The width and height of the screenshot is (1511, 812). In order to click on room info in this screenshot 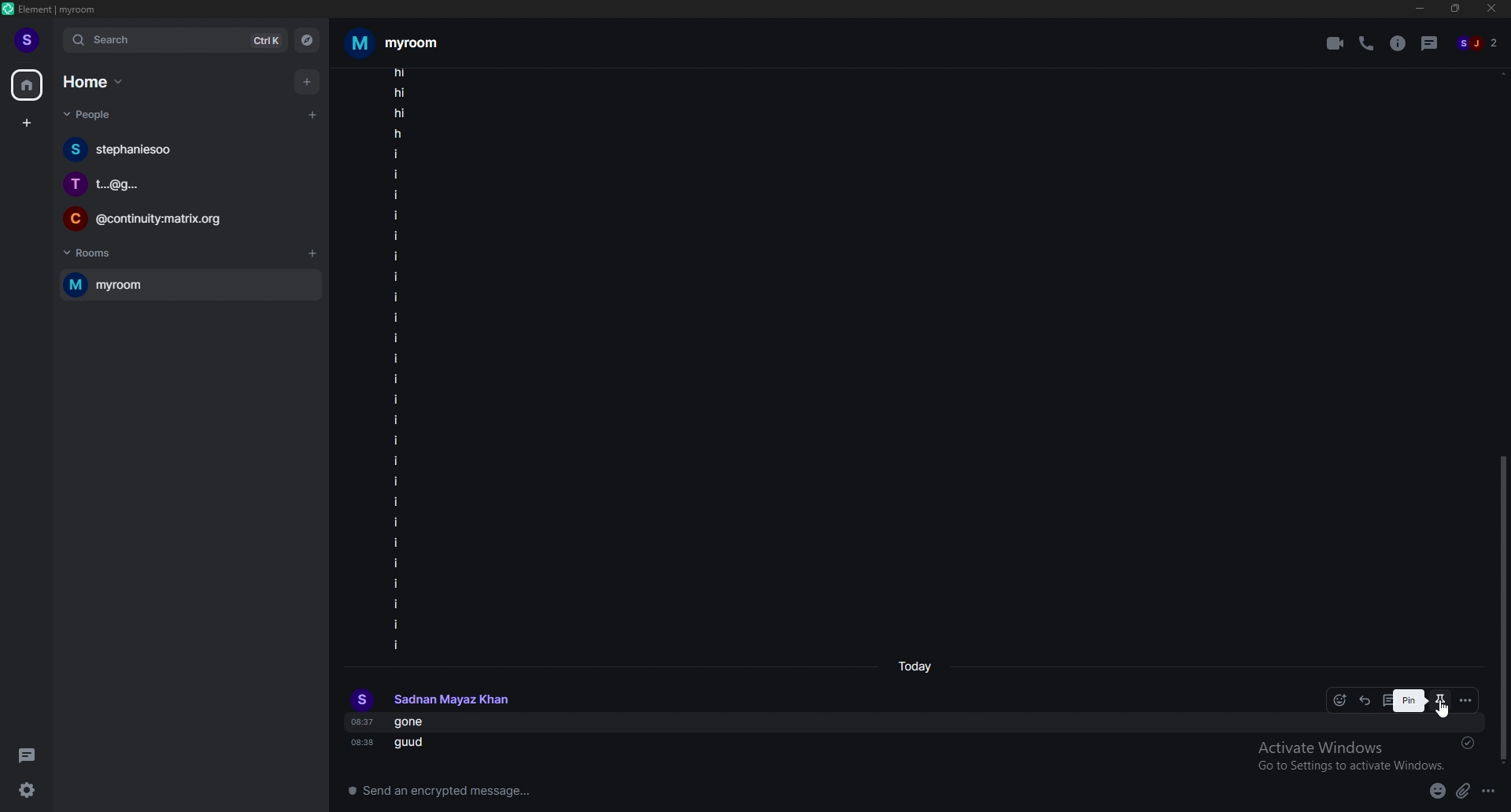, I will do `click(1398, 43)`.